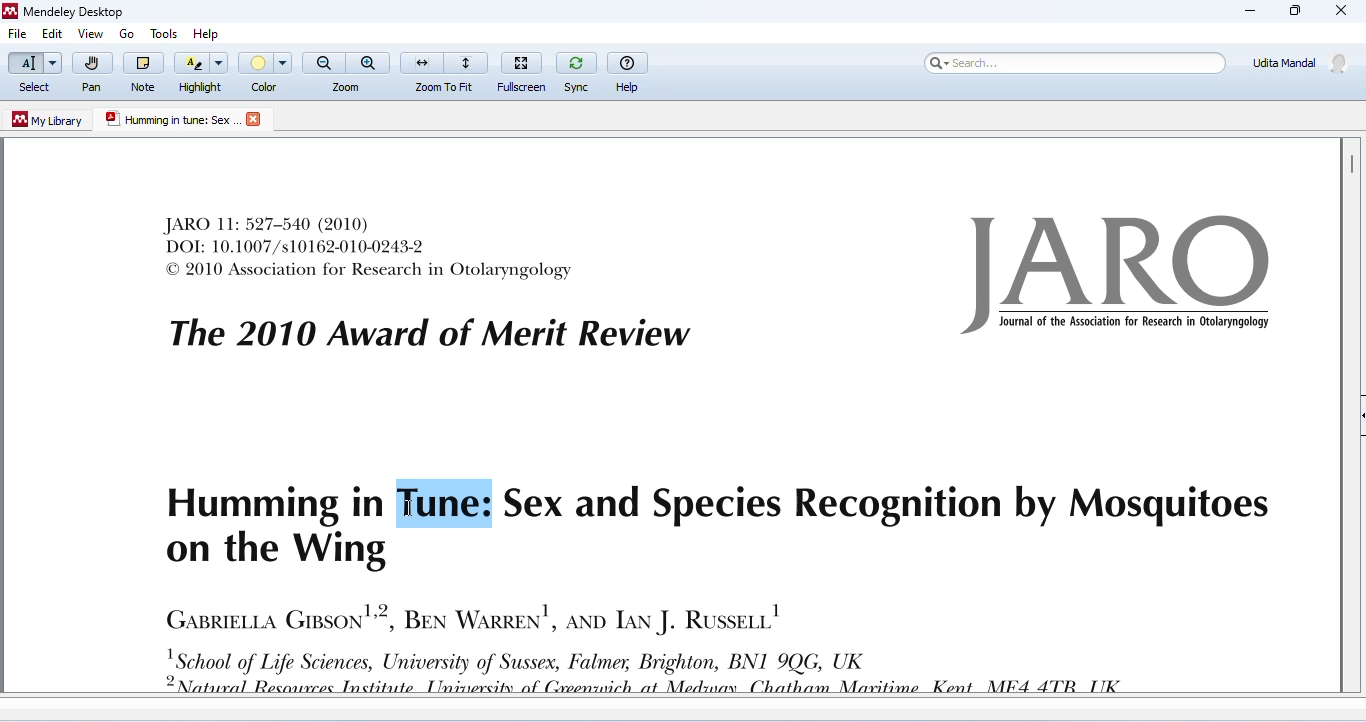 This screenshot has width=1366, height=722. What do you see at coordinates (143, 71) in the screenshot?
I see `note` at bounding box center [143, 71].